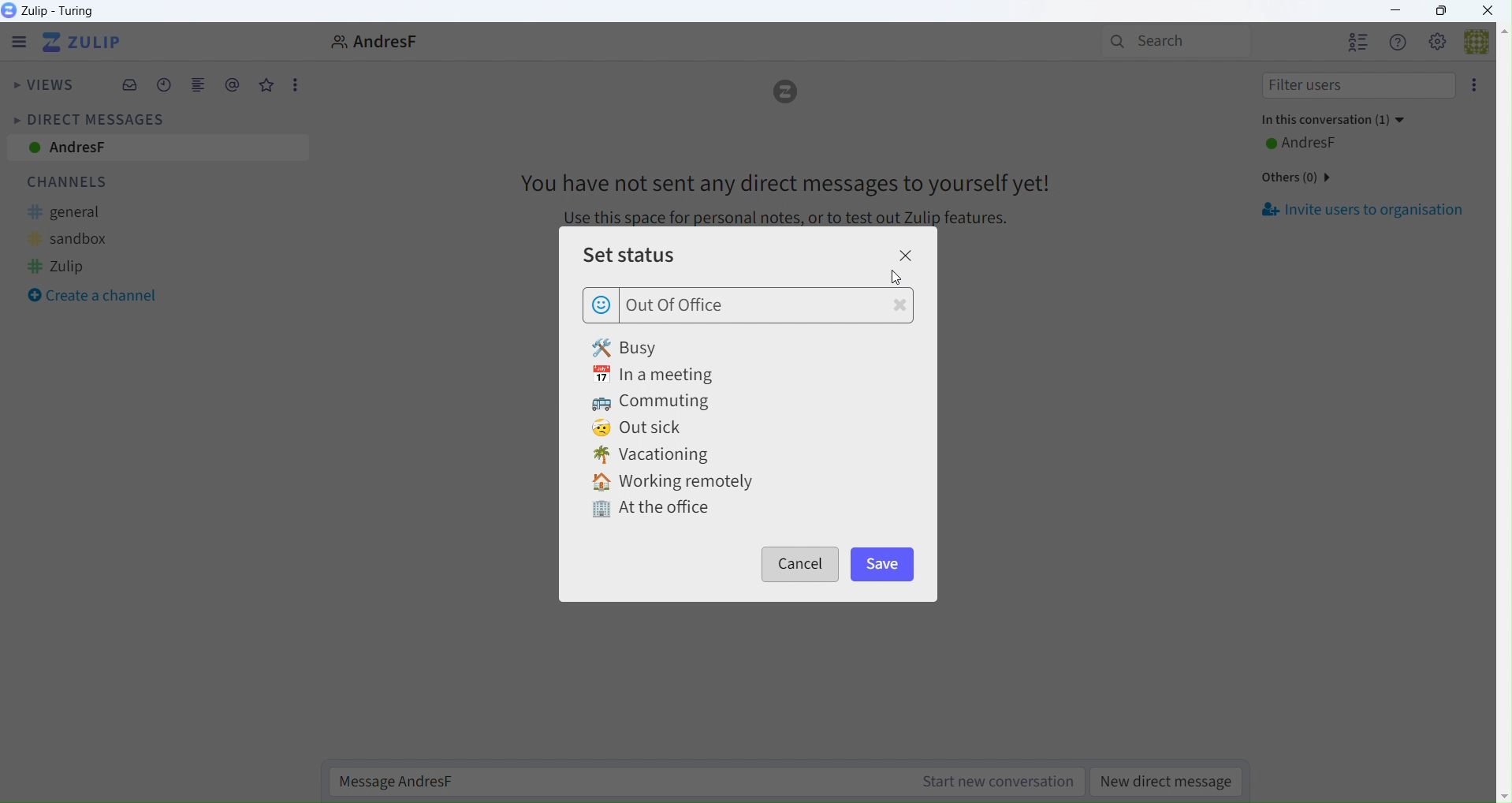  What do you see at coordinates (1439, 43) in the screenshot?
I see `Settings` at bounding box center [1439, 43].